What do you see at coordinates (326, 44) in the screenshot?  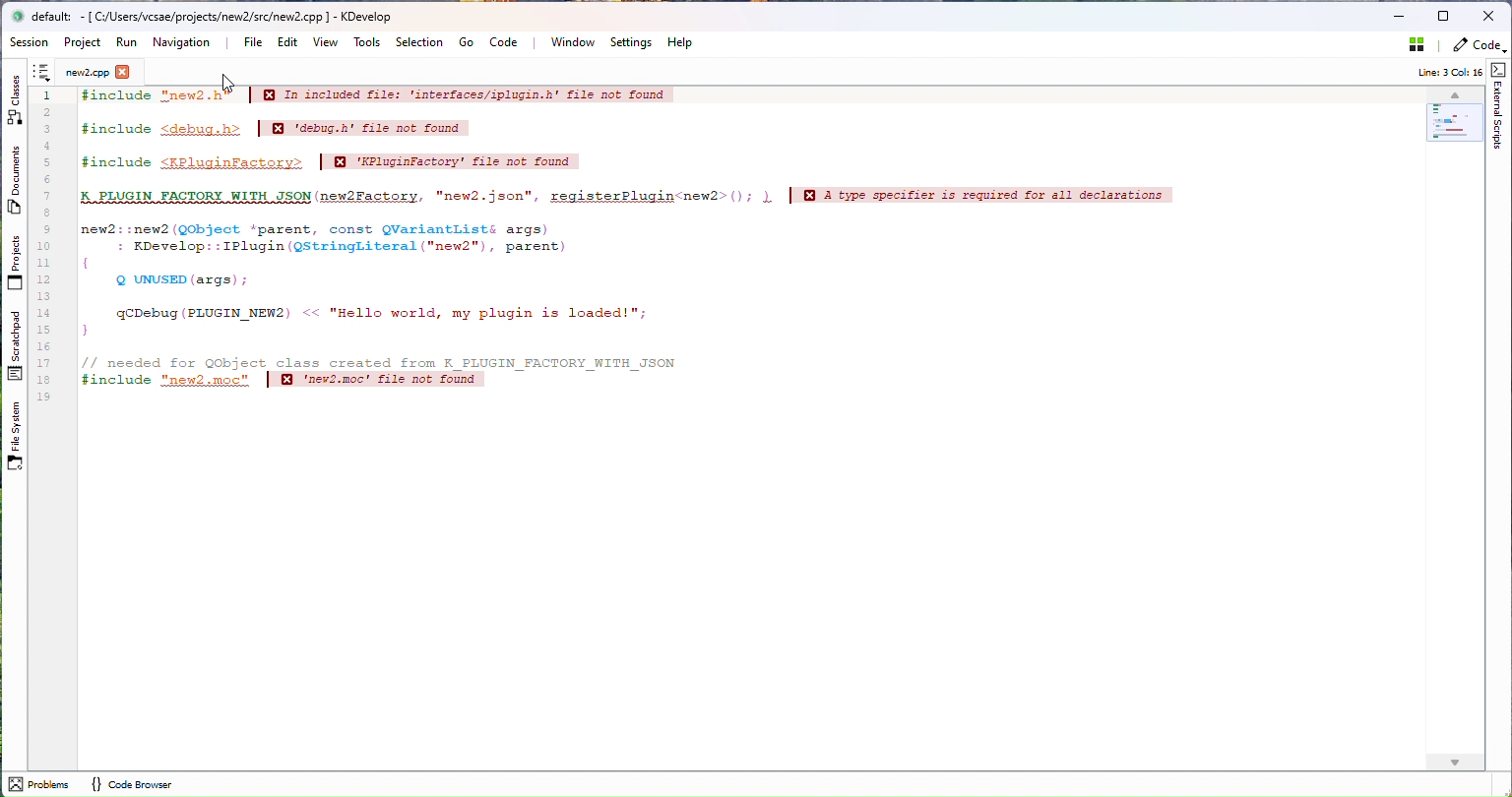 I see `View` at bounding box center [326, 44].